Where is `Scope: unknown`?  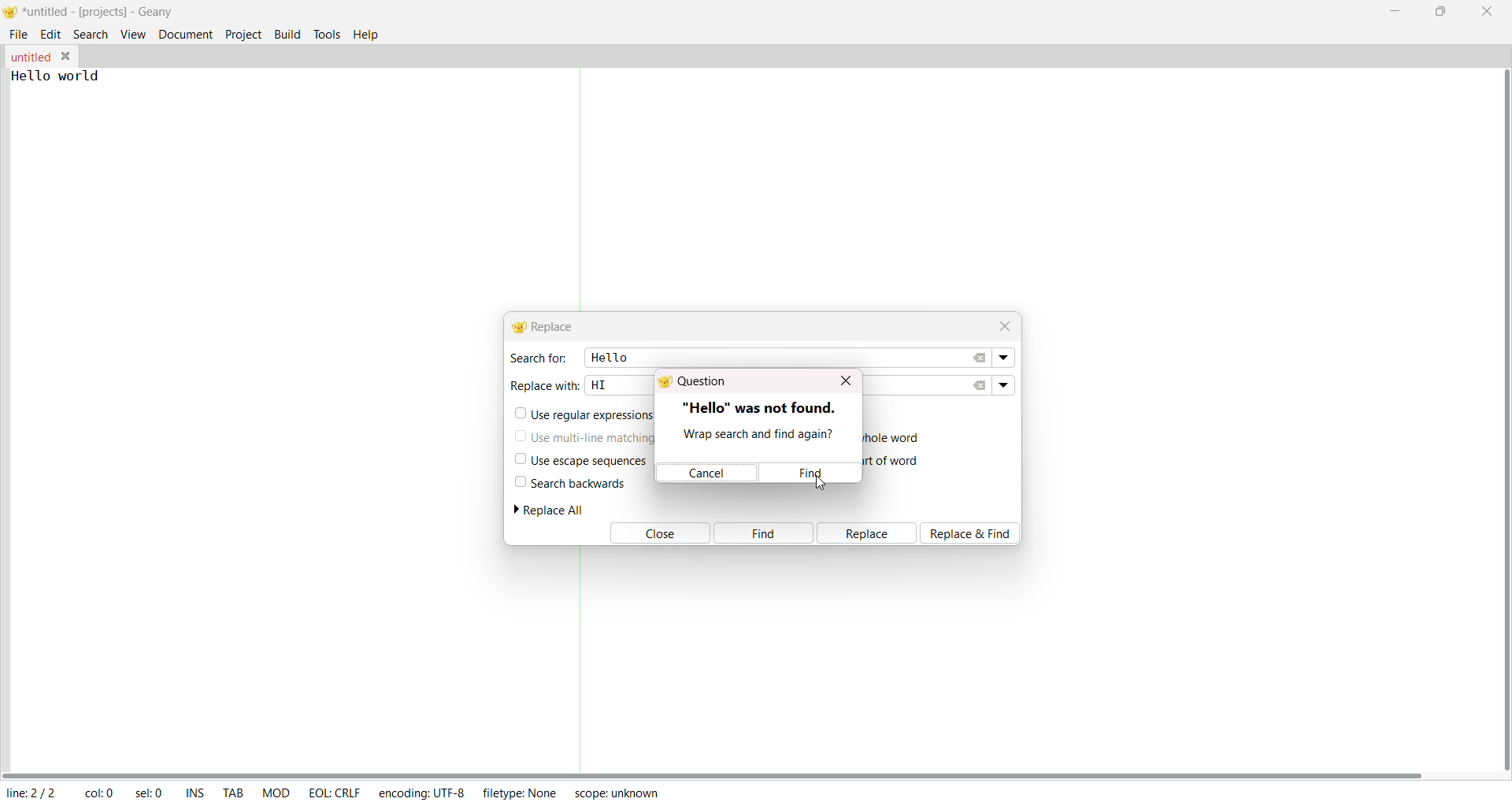
Scope: unknown is located at coordinates (616, 791).